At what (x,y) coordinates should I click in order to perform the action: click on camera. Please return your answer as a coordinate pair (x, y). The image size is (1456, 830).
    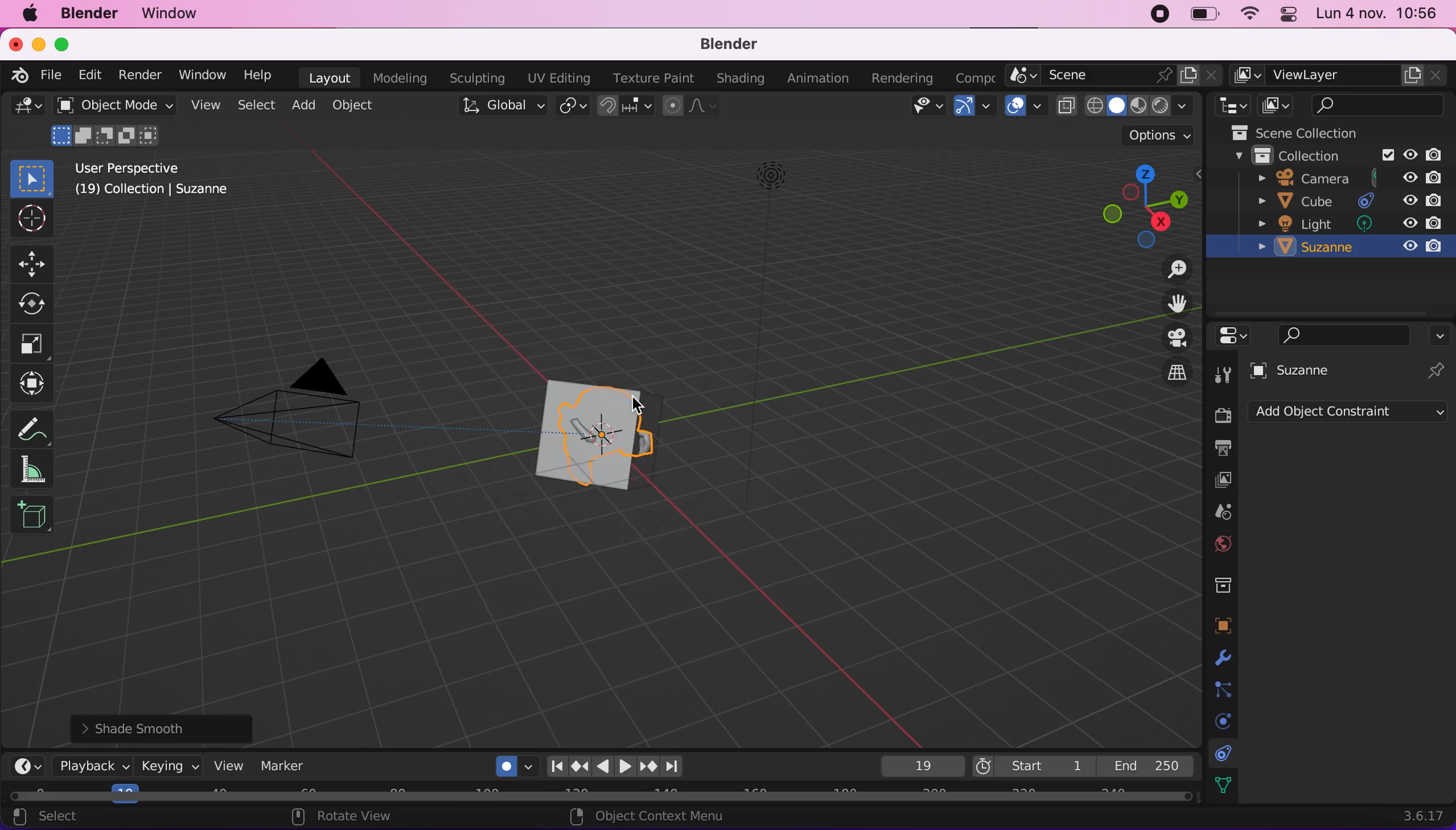
    Looking at the image, I should click on (295, 424).